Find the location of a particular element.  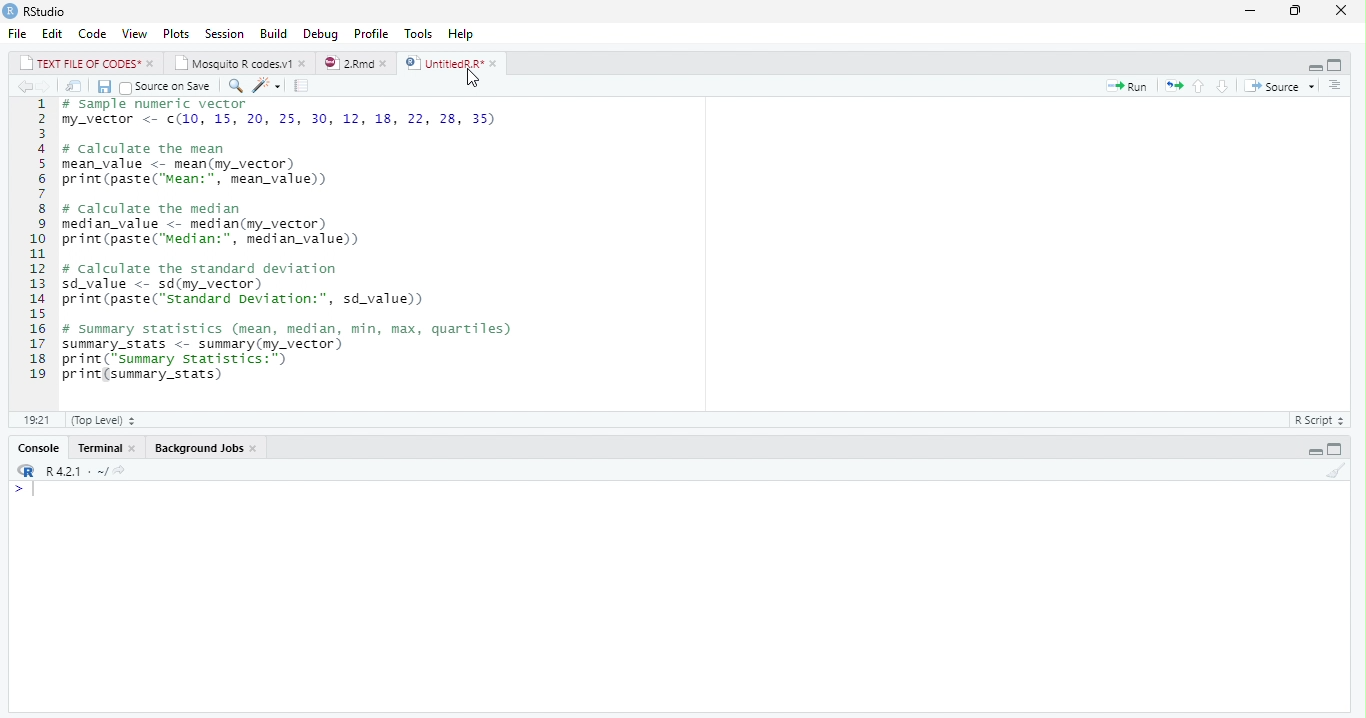

view is located at coordinates (135, 34).